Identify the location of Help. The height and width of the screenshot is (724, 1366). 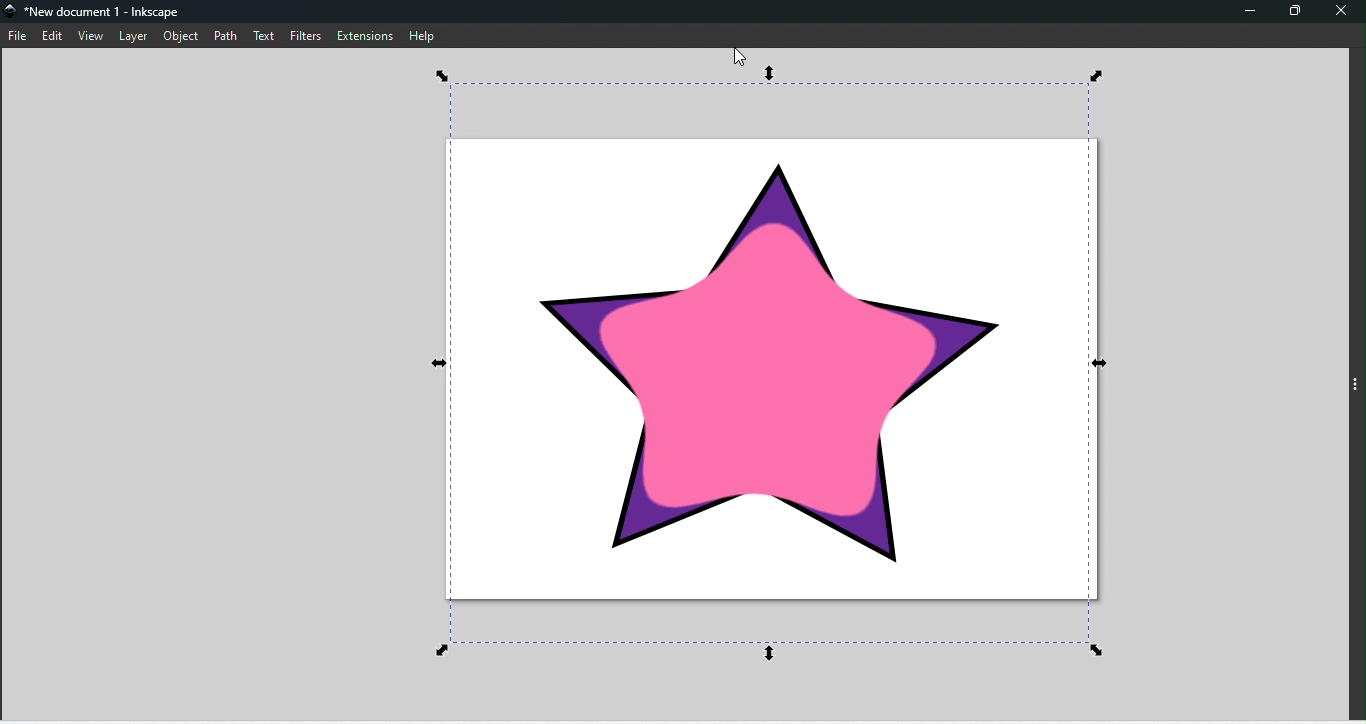
(424, 34).